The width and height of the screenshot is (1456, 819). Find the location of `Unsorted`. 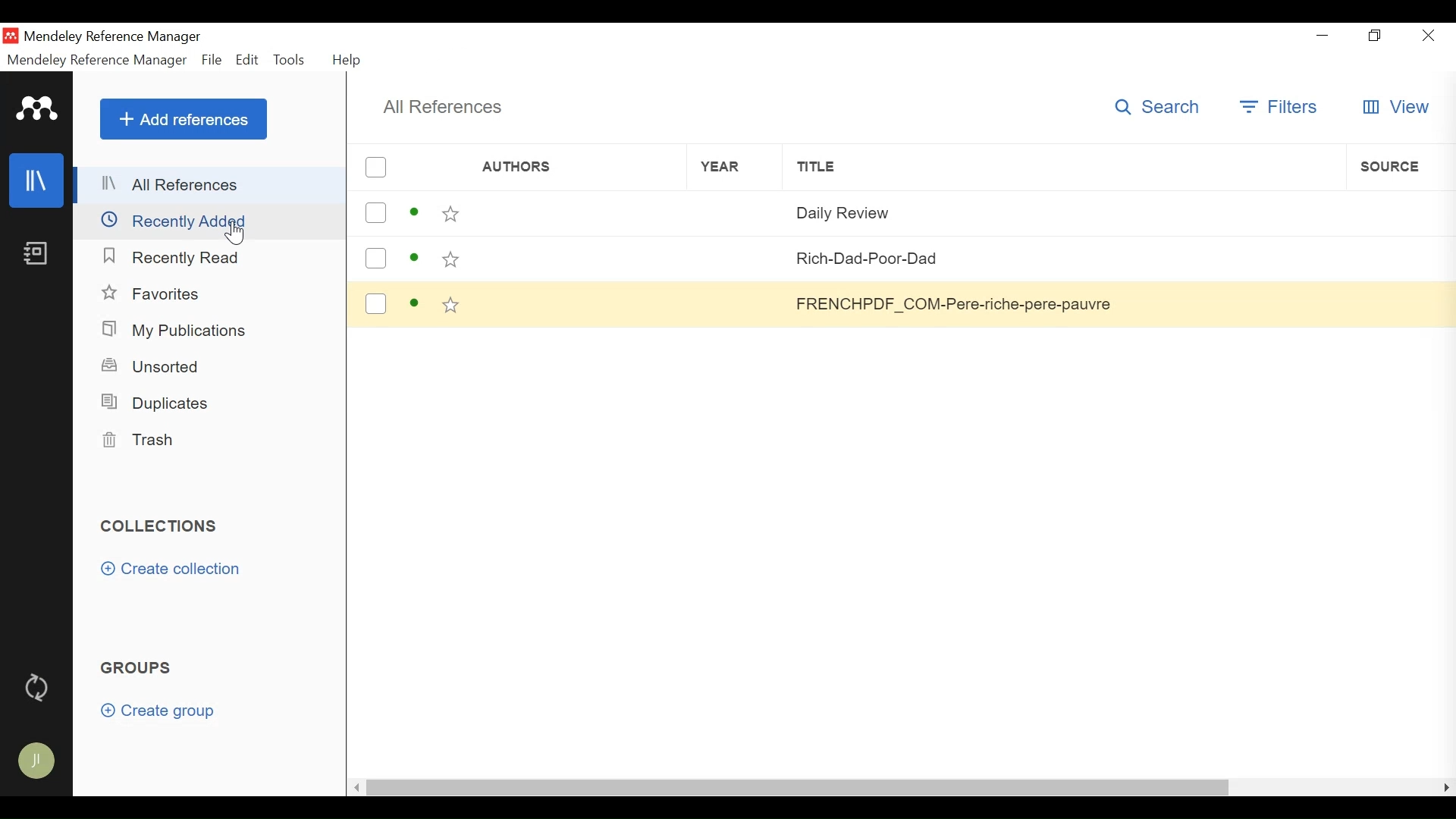

Unsorted is located at coordinates (156, 367).